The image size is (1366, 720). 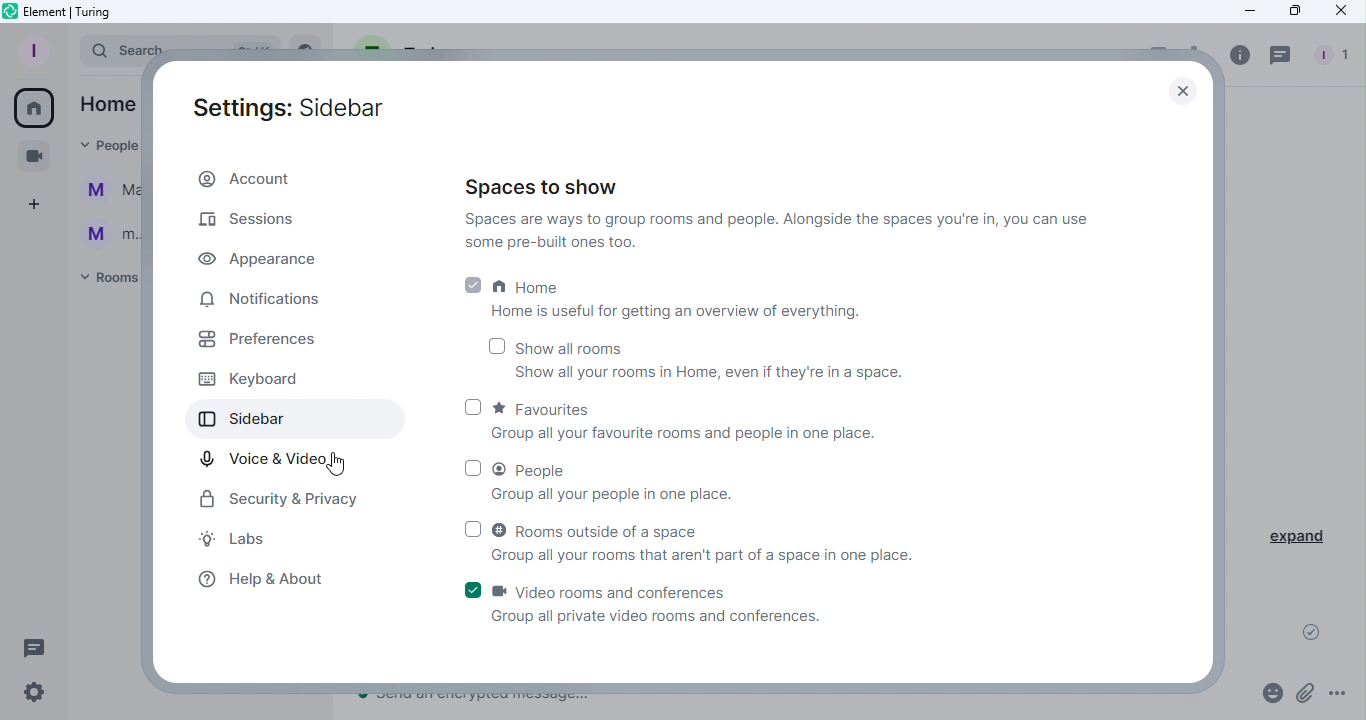 What do you see at coordinates (264, 379) in the screenshot?
I see `Keyboard` at bounding box center [264, 379].